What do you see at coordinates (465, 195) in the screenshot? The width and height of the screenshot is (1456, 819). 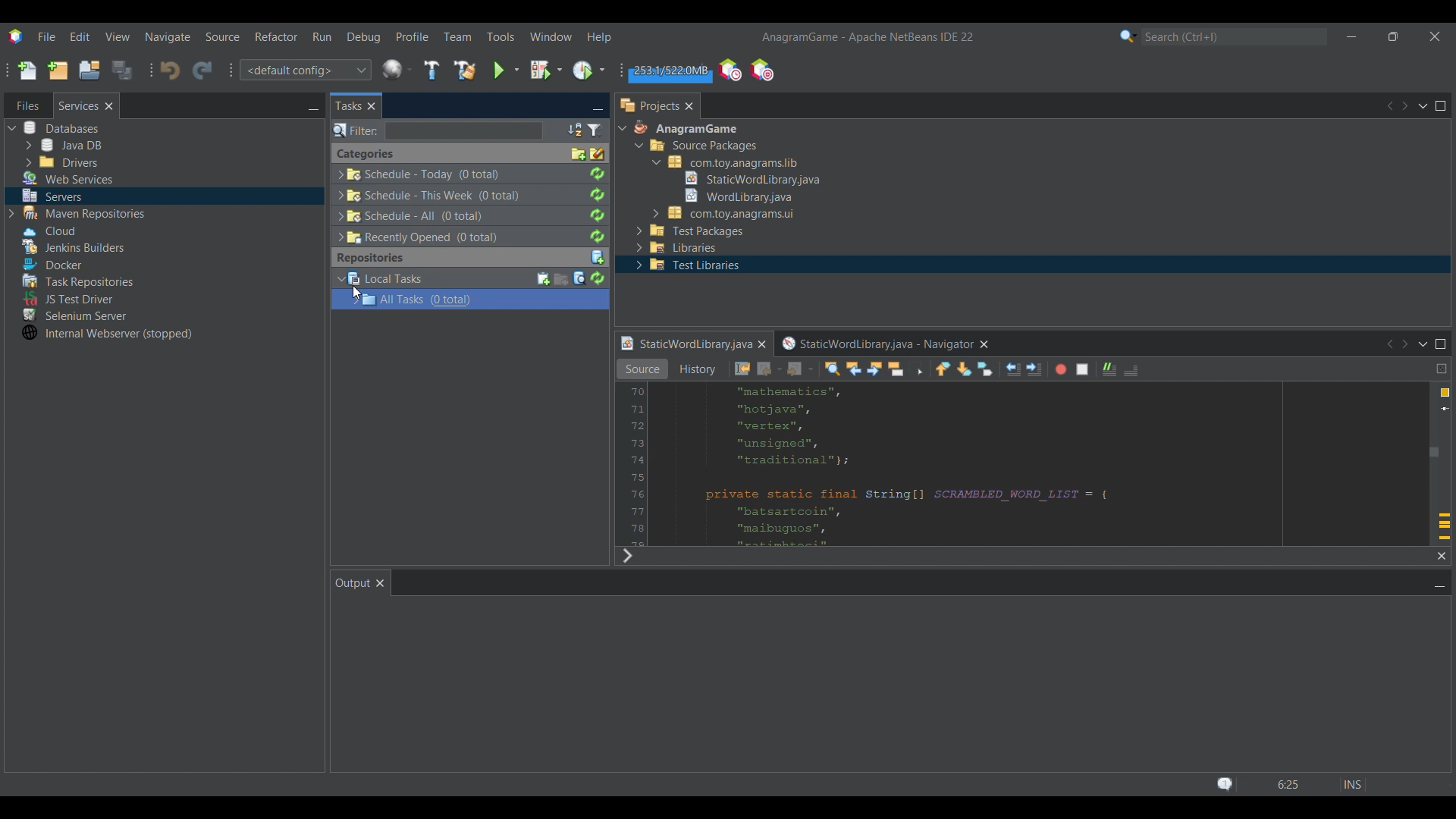 I see `` at bounding box center [465, 195].